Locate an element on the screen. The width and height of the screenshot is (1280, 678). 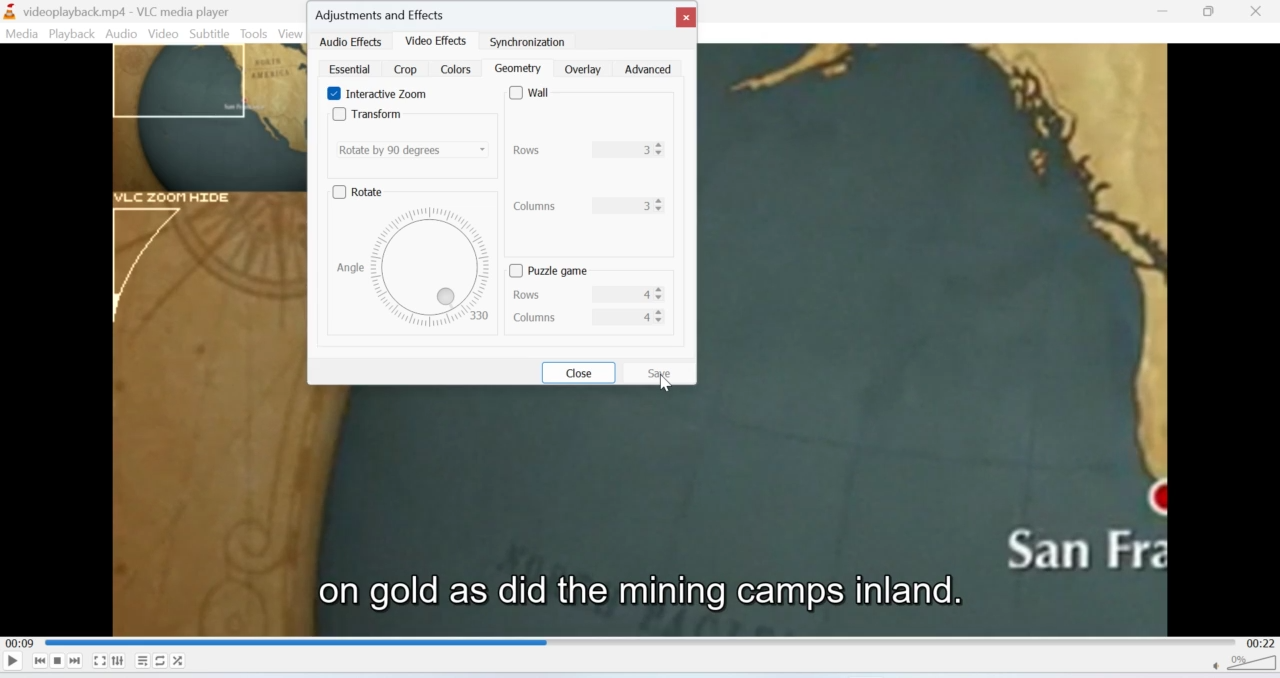
View is located at coordinates (291, 34).